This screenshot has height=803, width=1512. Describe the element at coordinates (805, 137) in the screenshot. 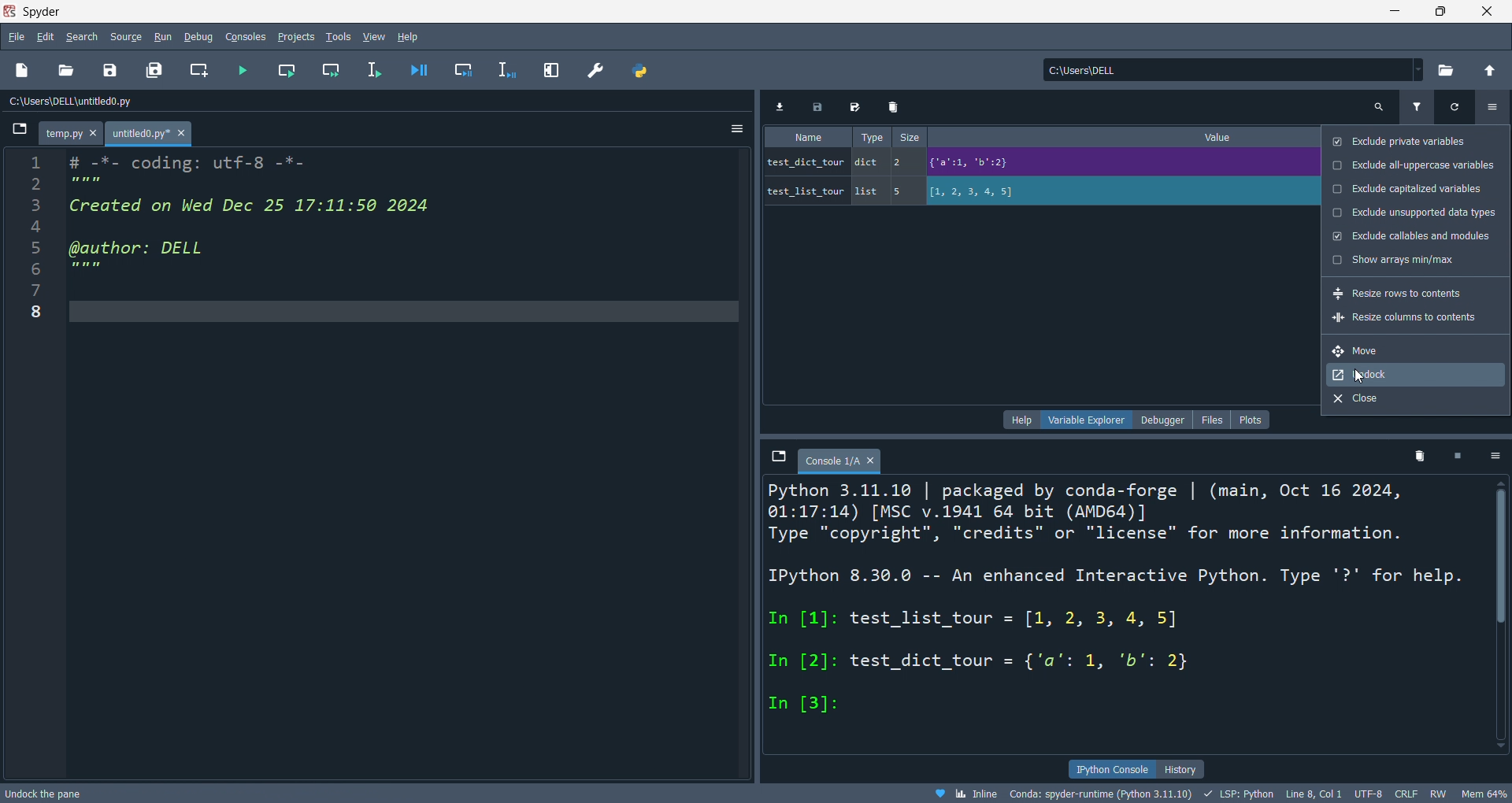

I see `name` at that location.